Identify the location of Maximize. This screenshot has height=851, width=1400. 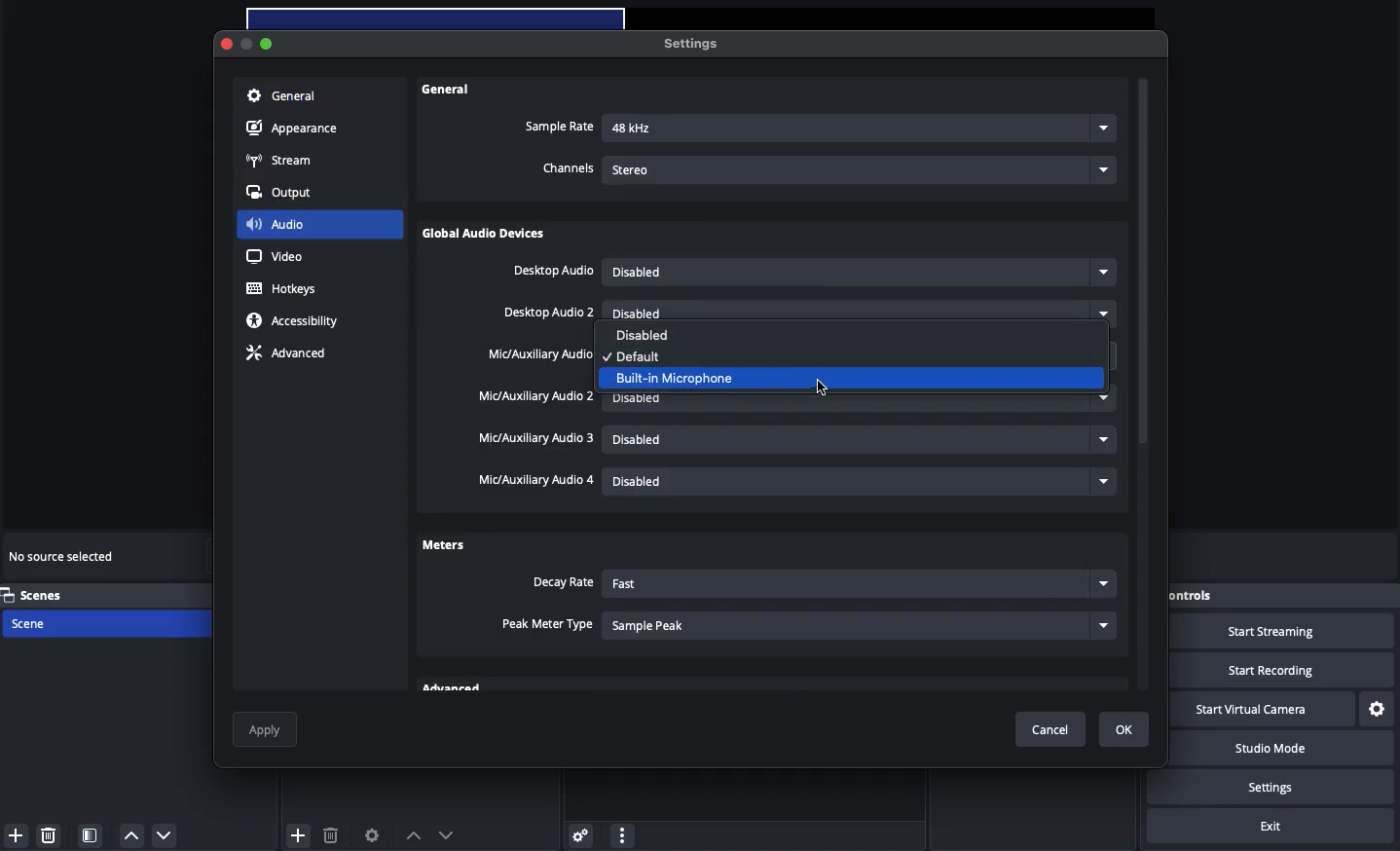
(269, 43).